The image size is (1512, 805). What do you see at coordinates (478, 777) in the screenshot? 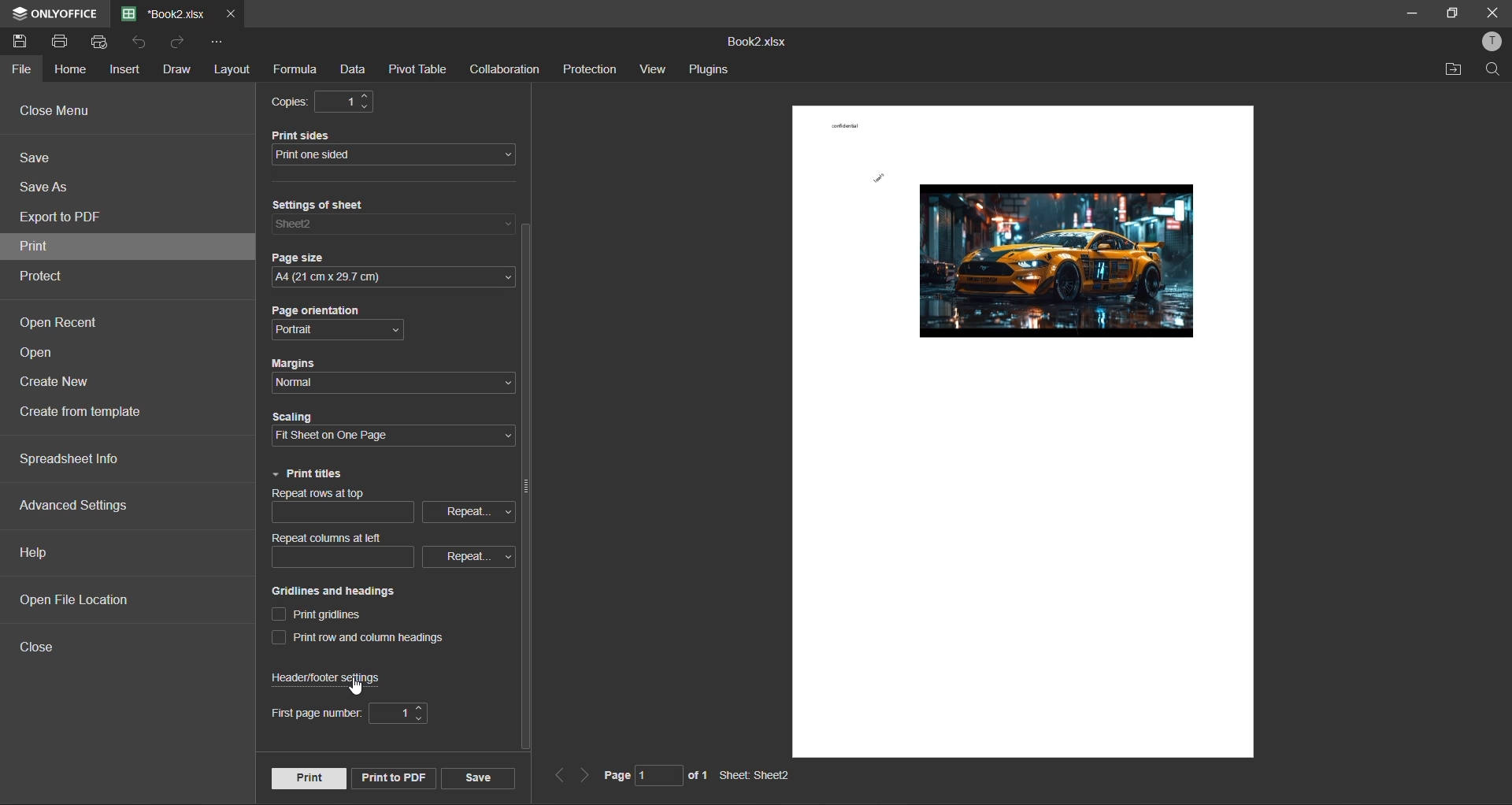
I see `save` at bounding box center [478, 777].